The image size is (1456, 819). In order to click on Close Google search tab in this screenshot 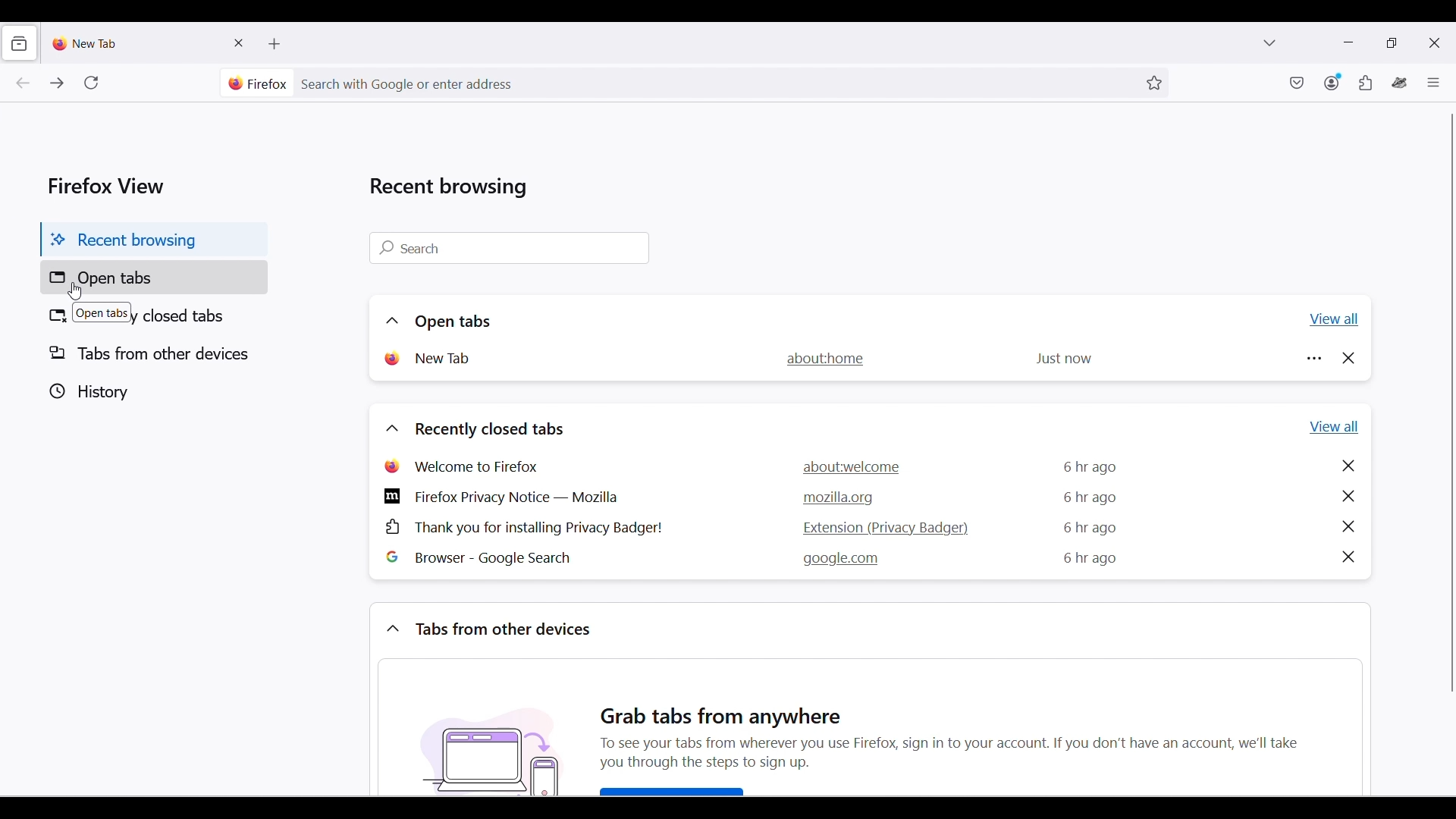, I will do `click(1348, 557)`.